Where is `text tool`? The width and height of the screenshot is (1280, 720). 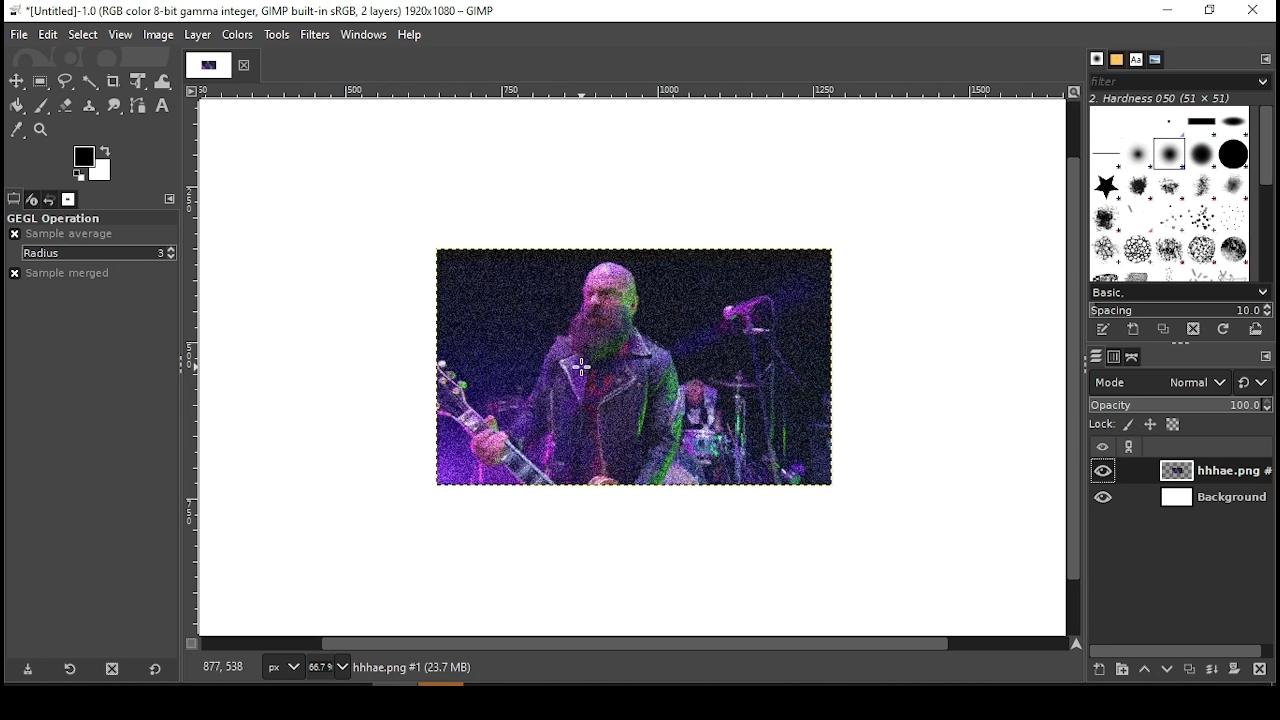
text tool is located at coordinates (162, 106).